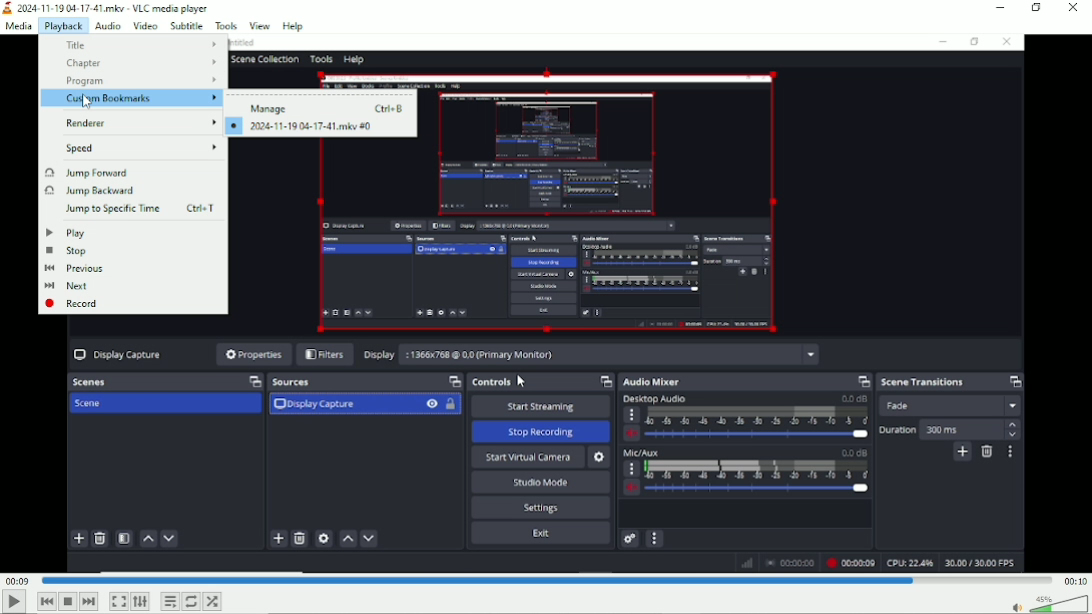 The width and height of the screenshot is (1092, 614). I want to click on 00:10, so click(1074, 581).